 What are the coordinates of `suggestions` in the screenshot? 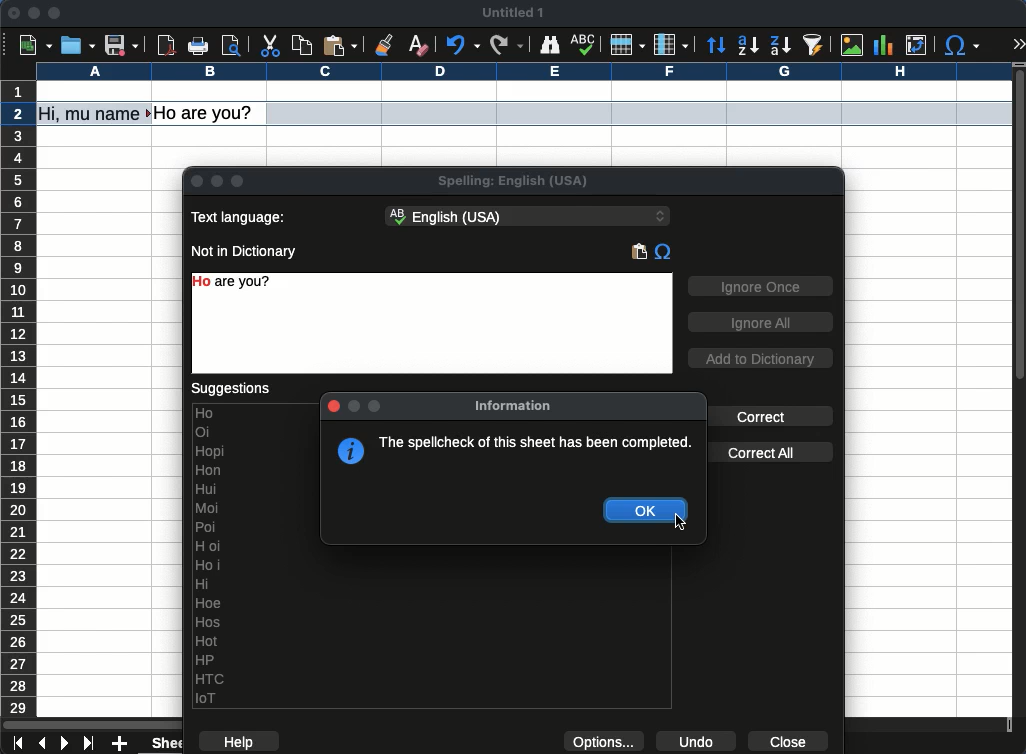 It's located at (231, 390).